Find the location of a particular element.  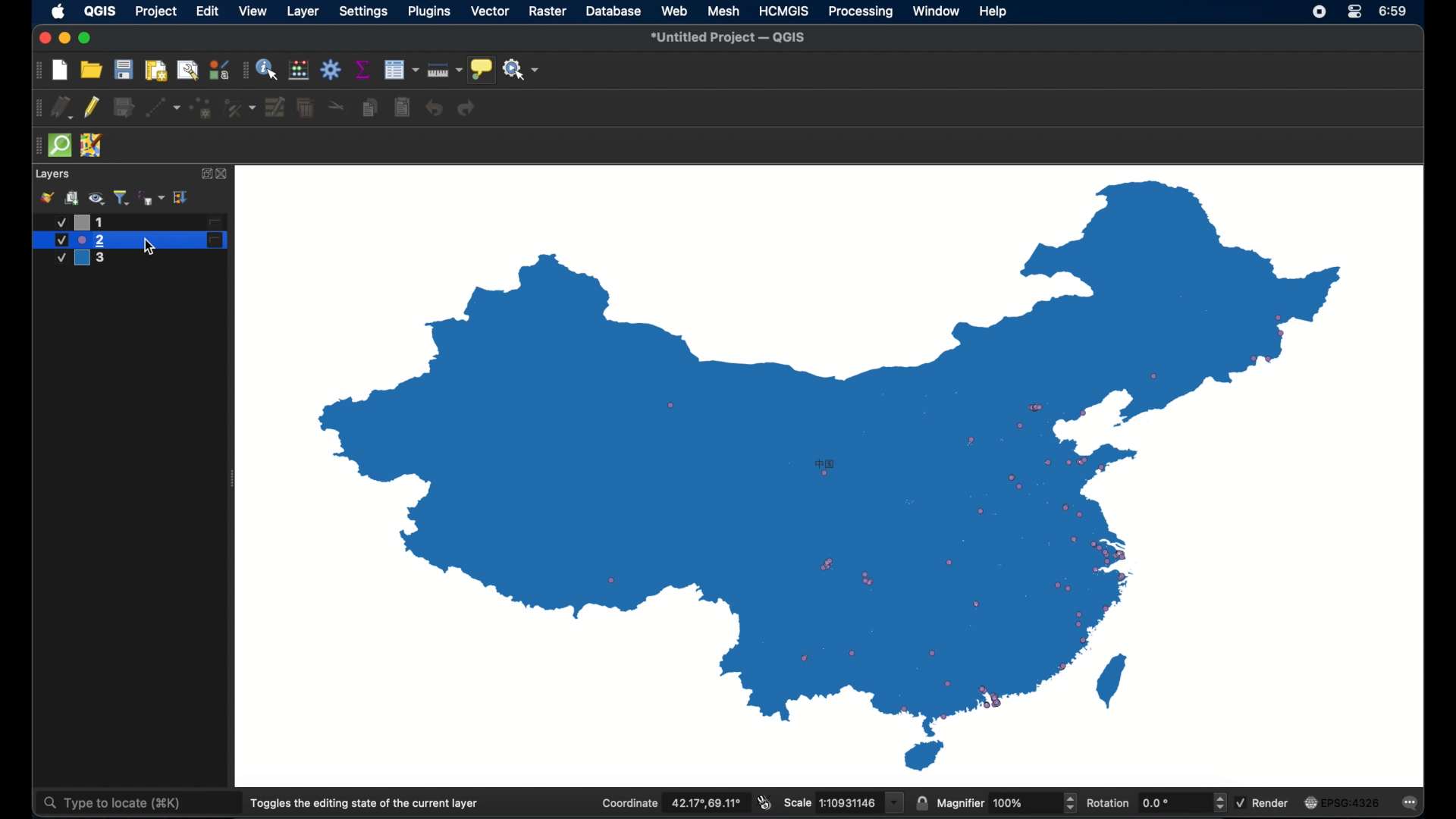

time is located at coordinates (1395, 12).